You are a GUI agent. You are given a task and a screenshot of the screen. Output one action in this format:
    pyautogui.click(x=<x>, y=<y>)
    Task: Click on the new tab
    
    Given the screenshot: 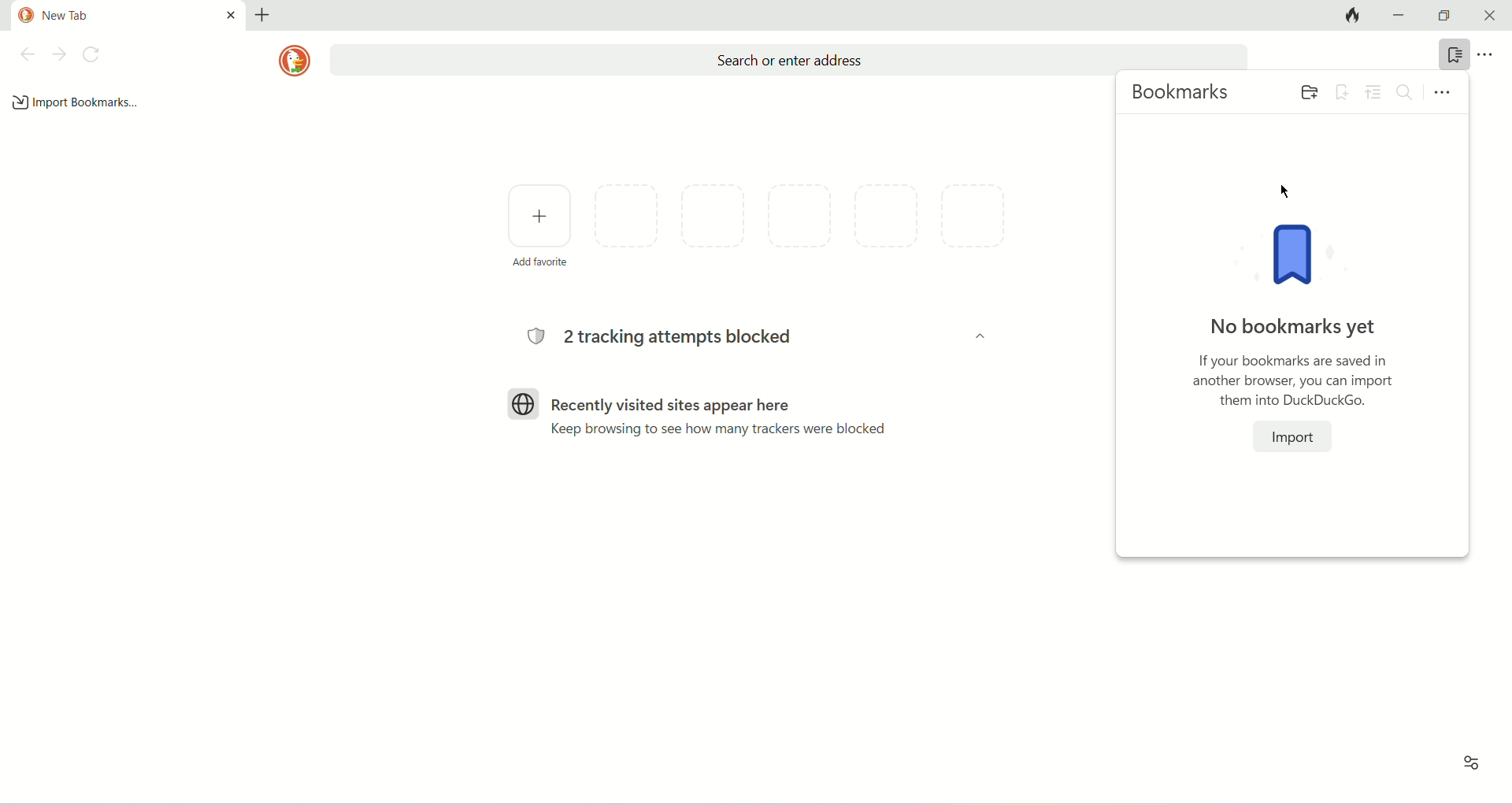 What is the action you would take?
    pyautogui.click(x=264, y=13)
    